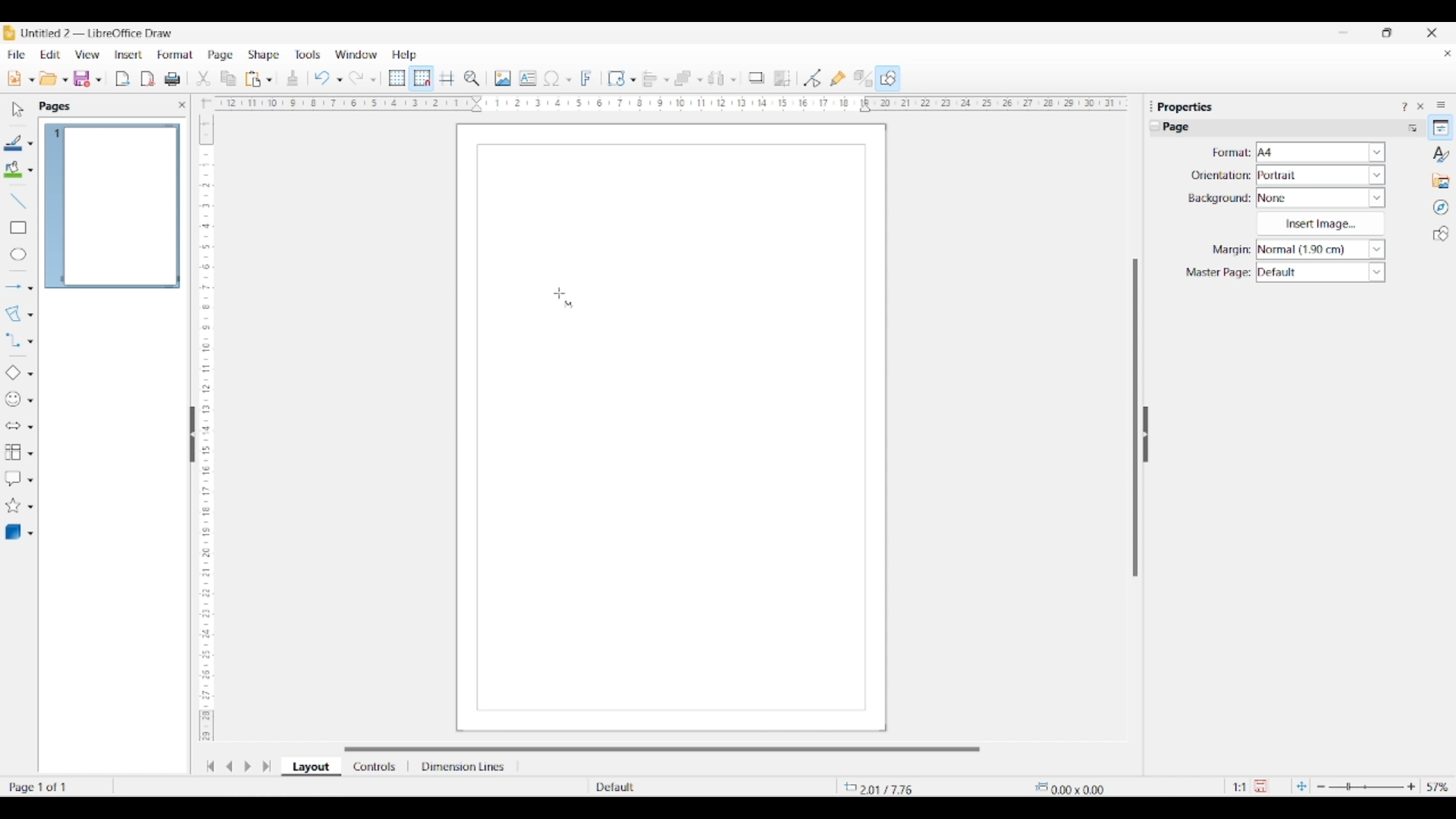  Describe the element at coordinates (464, 767) in the screenshot. I see `Dimension lines` at that location.